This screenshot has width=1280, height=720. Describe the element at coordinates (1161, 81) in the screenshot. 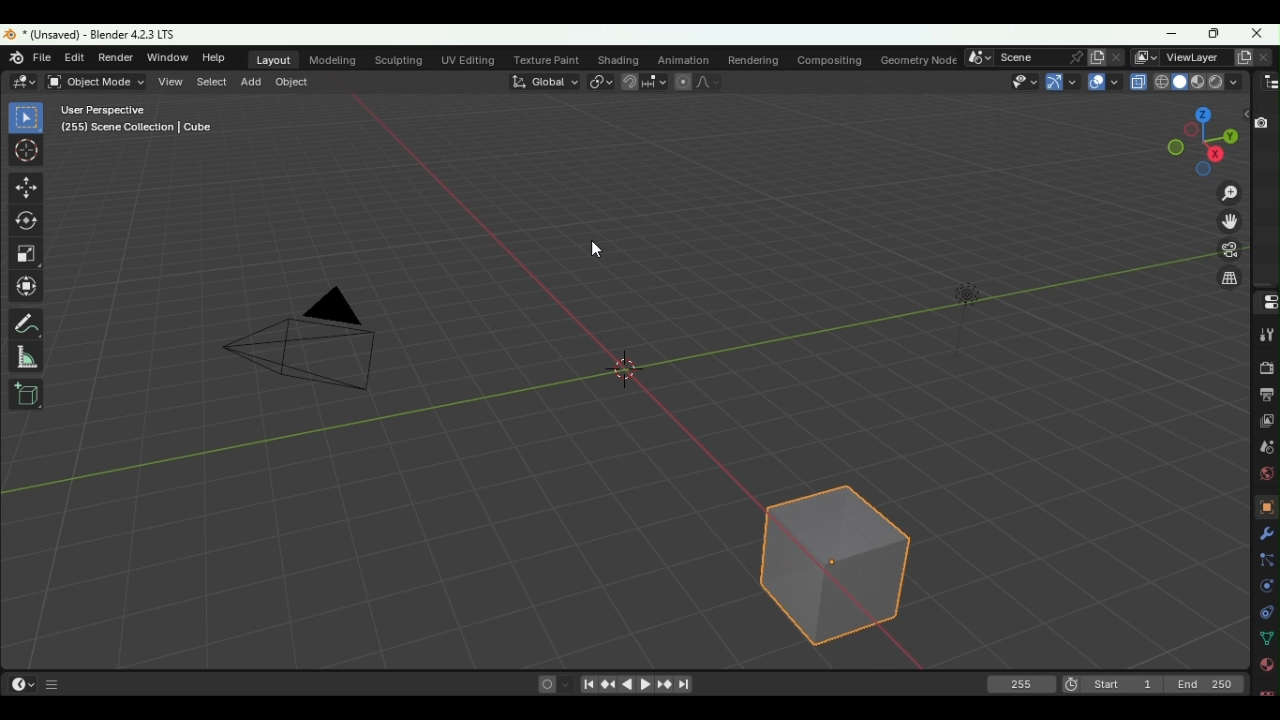

I see `Viewport shading: Wireframe` at that location.